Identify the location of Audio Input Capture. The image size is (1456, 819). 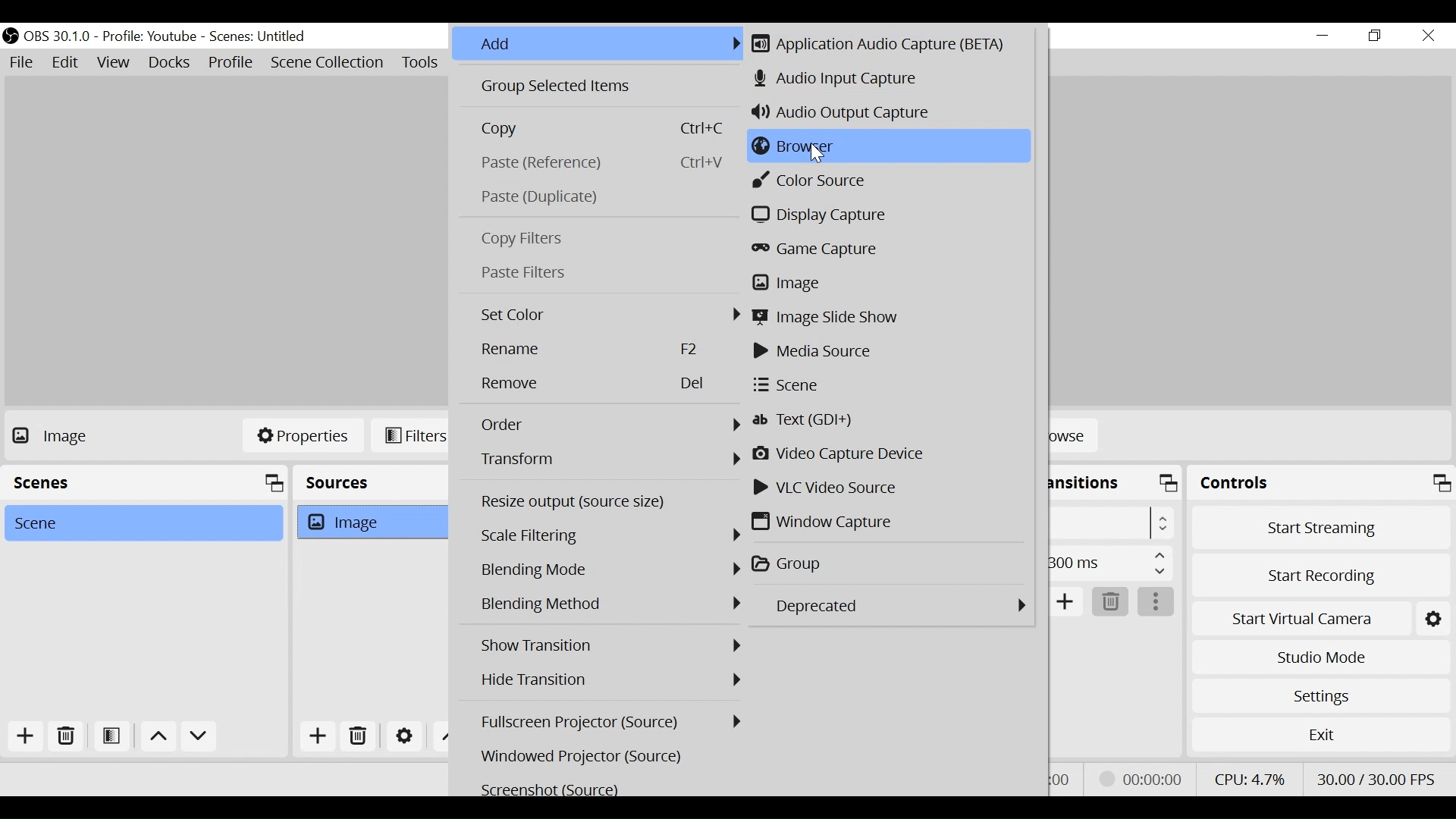
(893, 80).